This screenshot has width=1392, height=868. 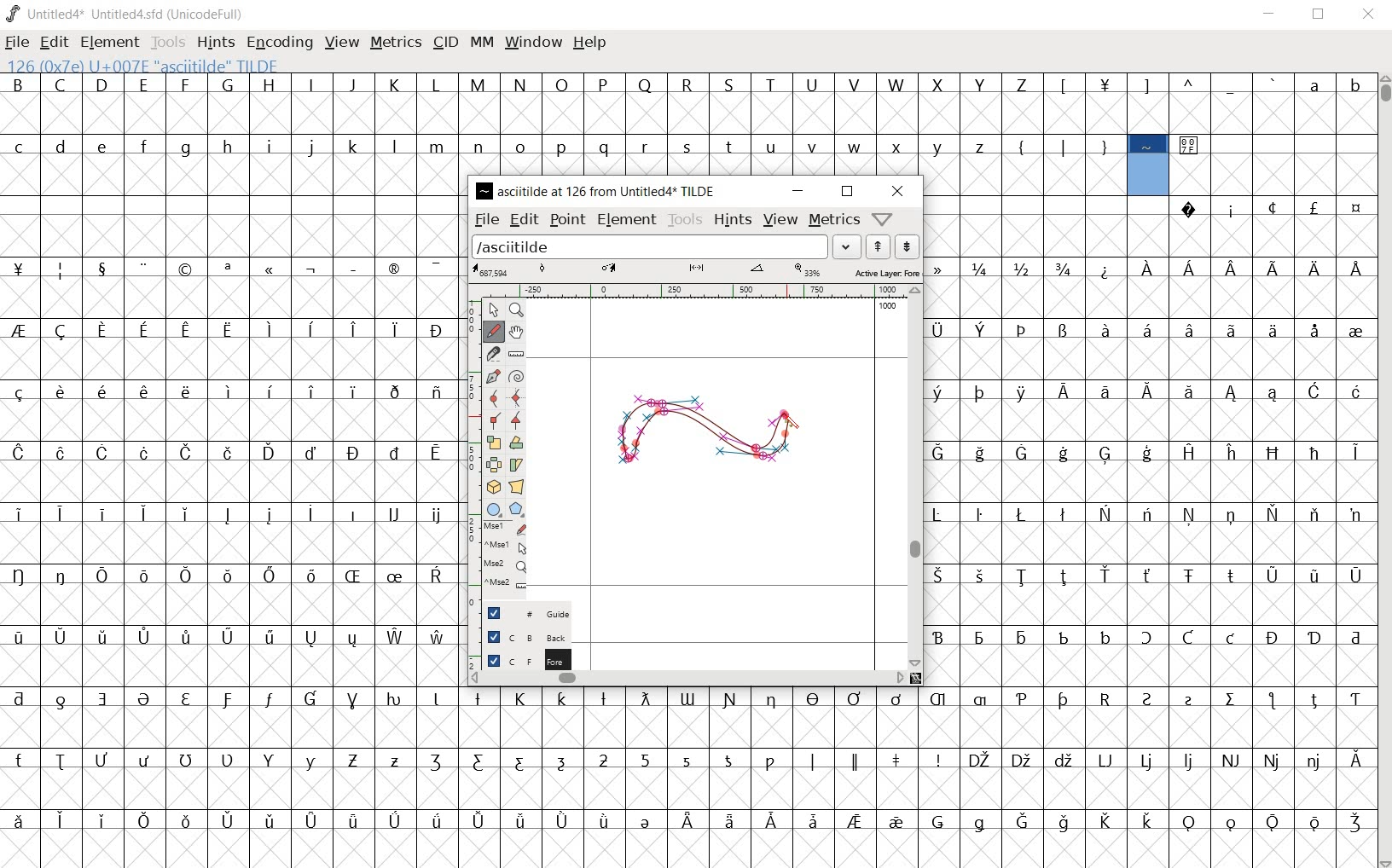 I want to click on load word list, so click(x=665, y=246).